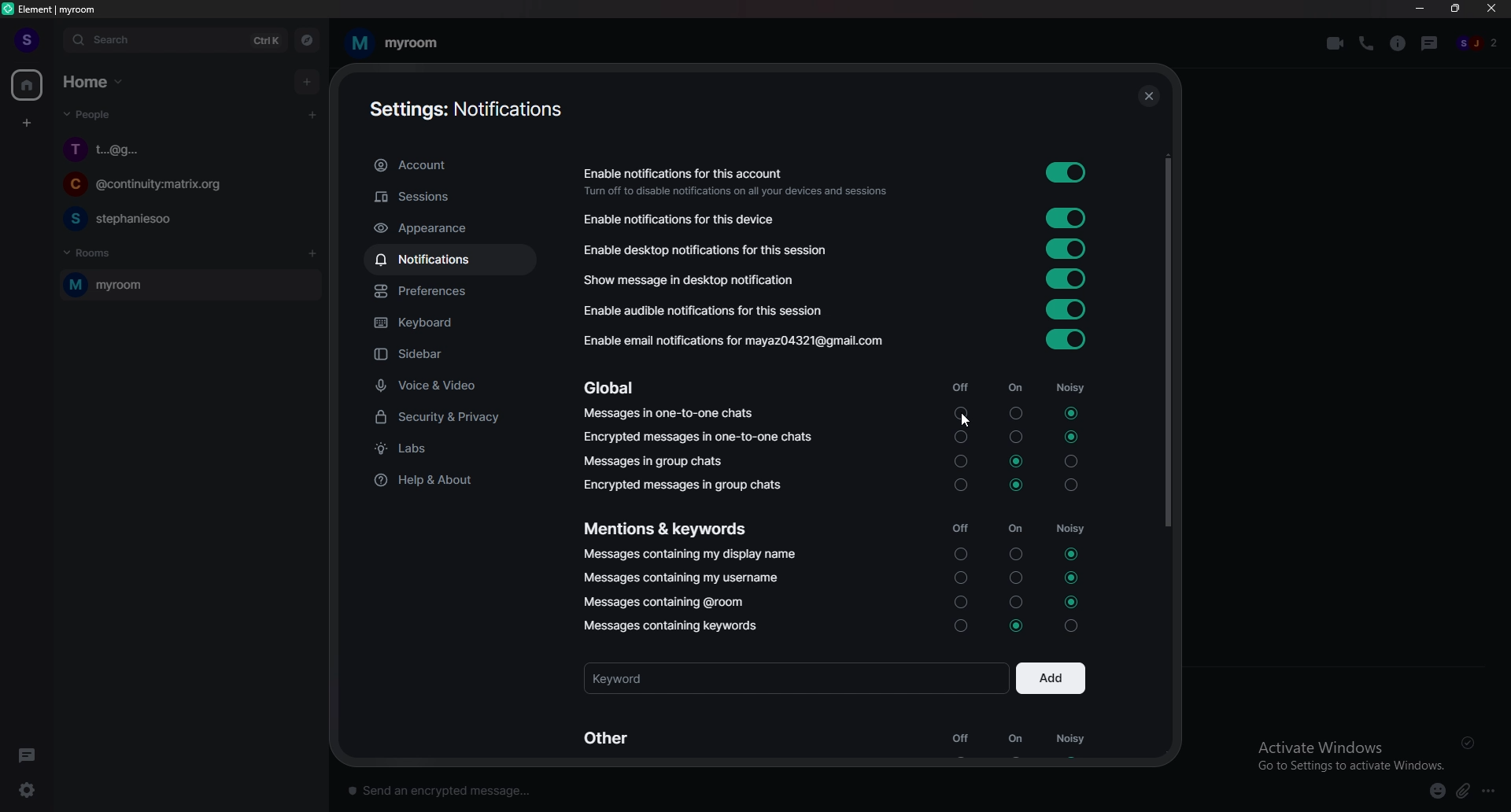 Image resolution: width=1511 pixels, height=812 pixels. Describe the element at coordinates (700, 437) in the screenshot. I see `encrypted messages in one to one chats` at that location.